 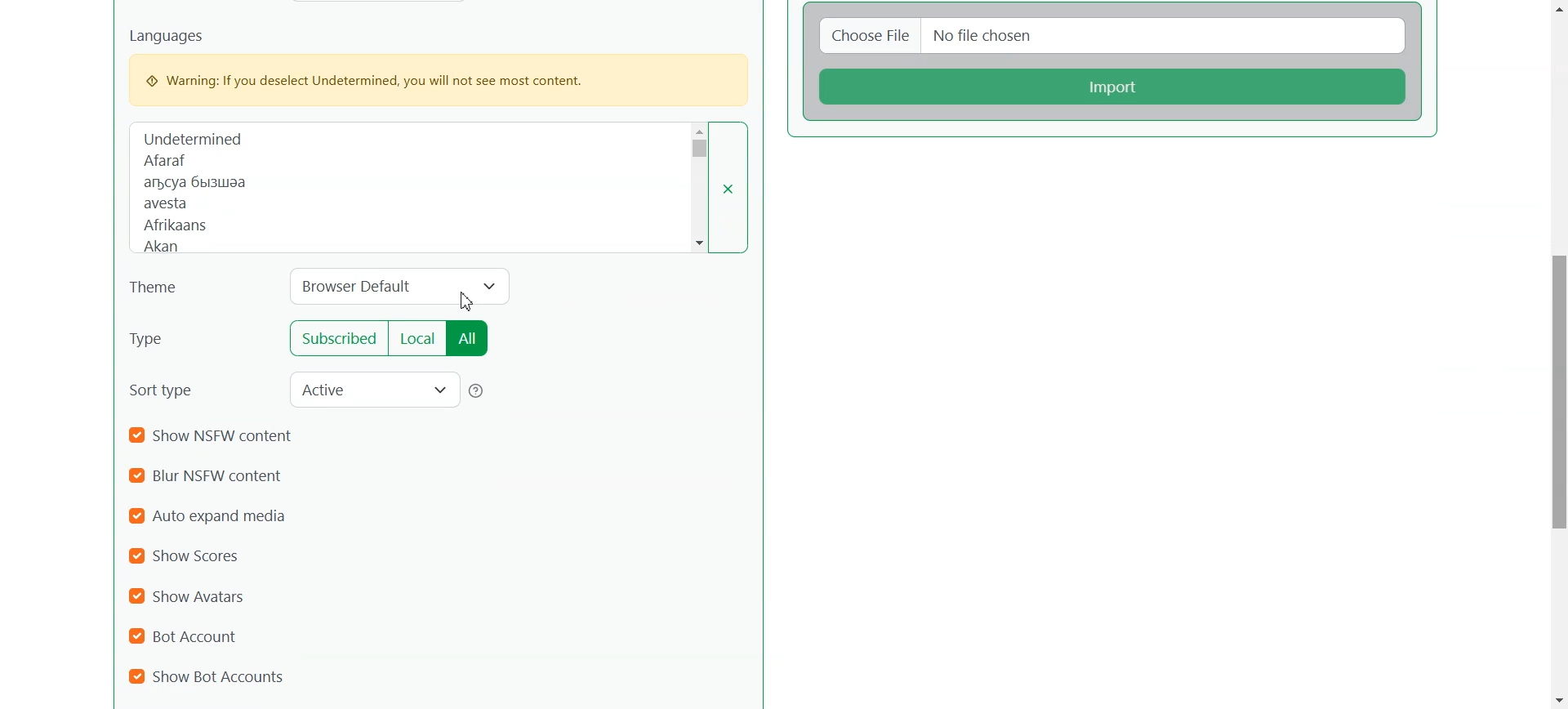 What do you see at coordinates (413, 186) in the screenshot?
I see `Languages` at bounding box center [413, 186].